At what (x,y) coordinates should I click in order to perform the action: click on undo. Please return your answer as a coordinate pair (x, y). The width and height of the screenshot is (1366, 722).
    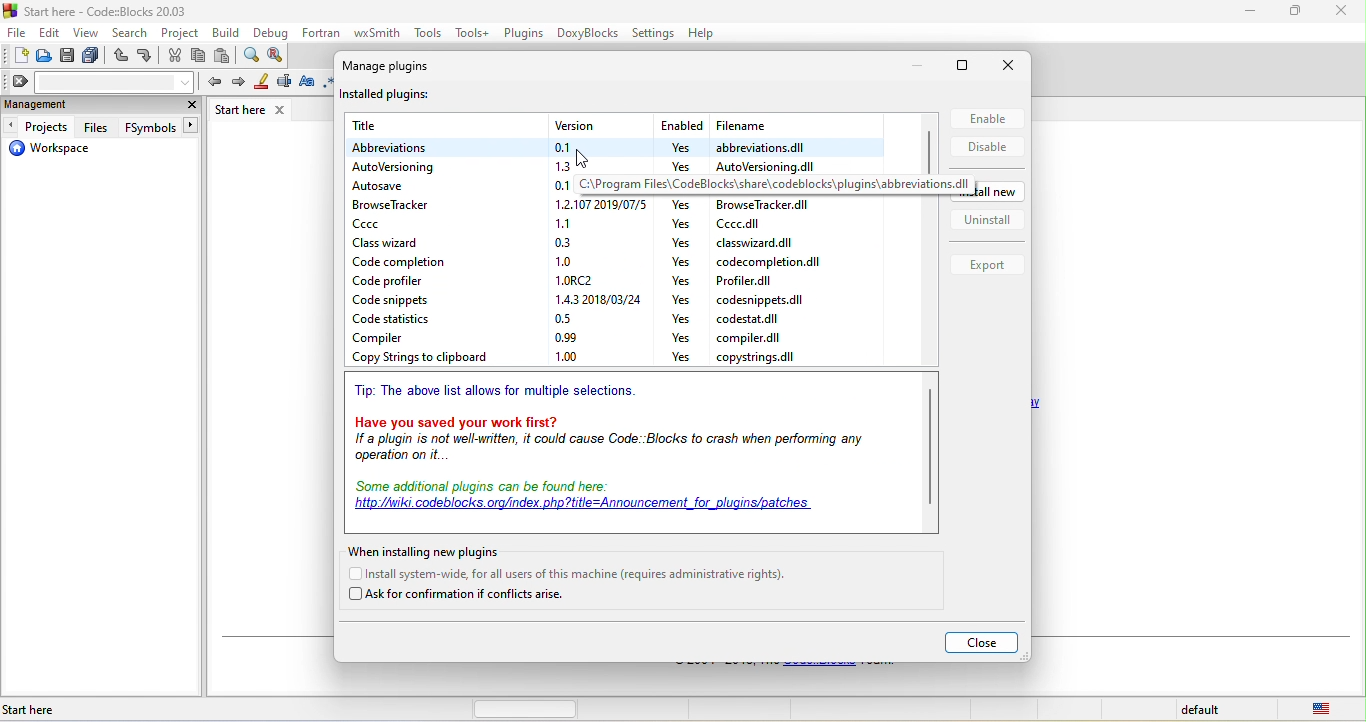
    Looking at the image, I should click on (122, 56).